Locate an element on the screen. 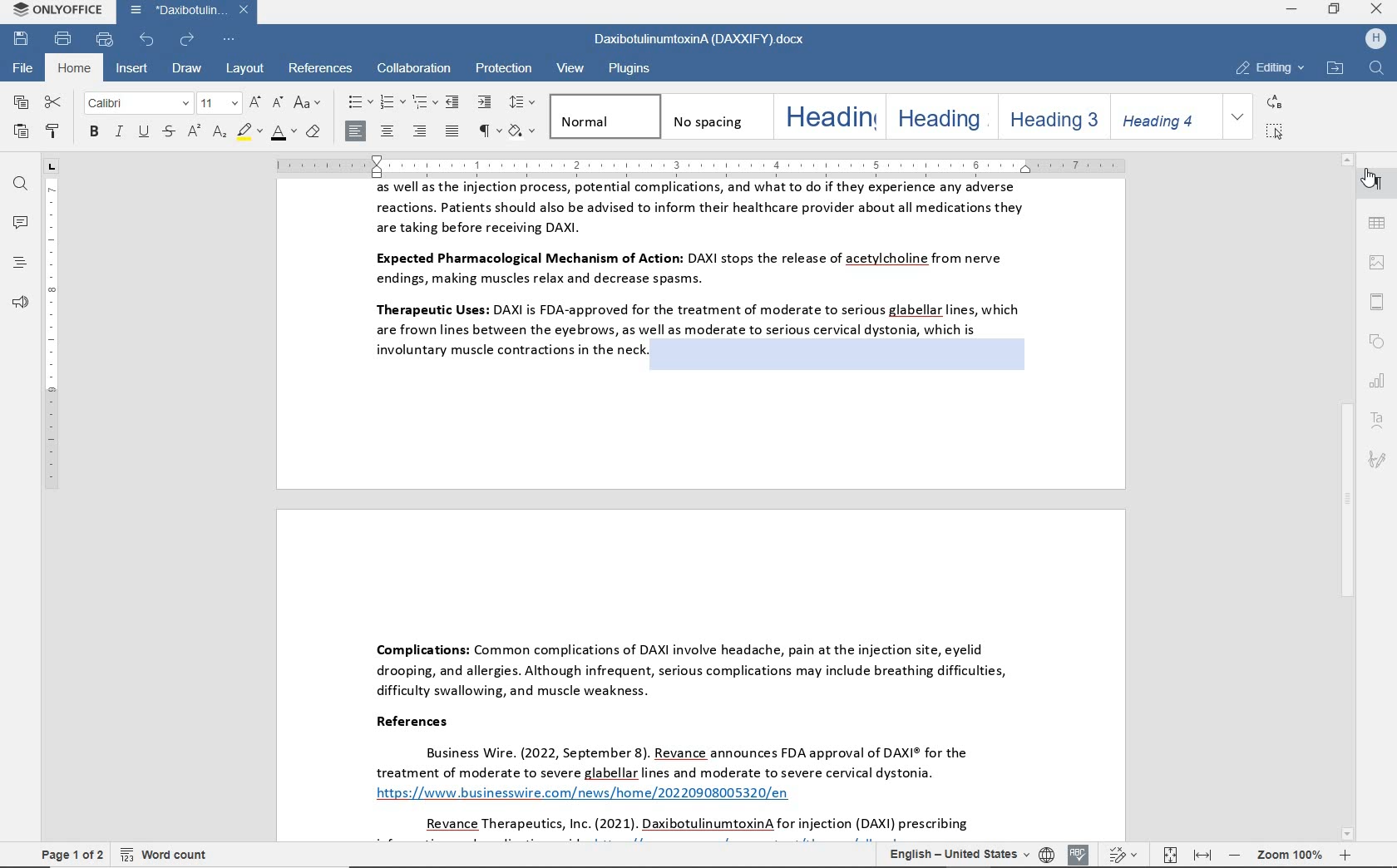 The image size is (1397, 868). font size is located at coordinates (217, 104).